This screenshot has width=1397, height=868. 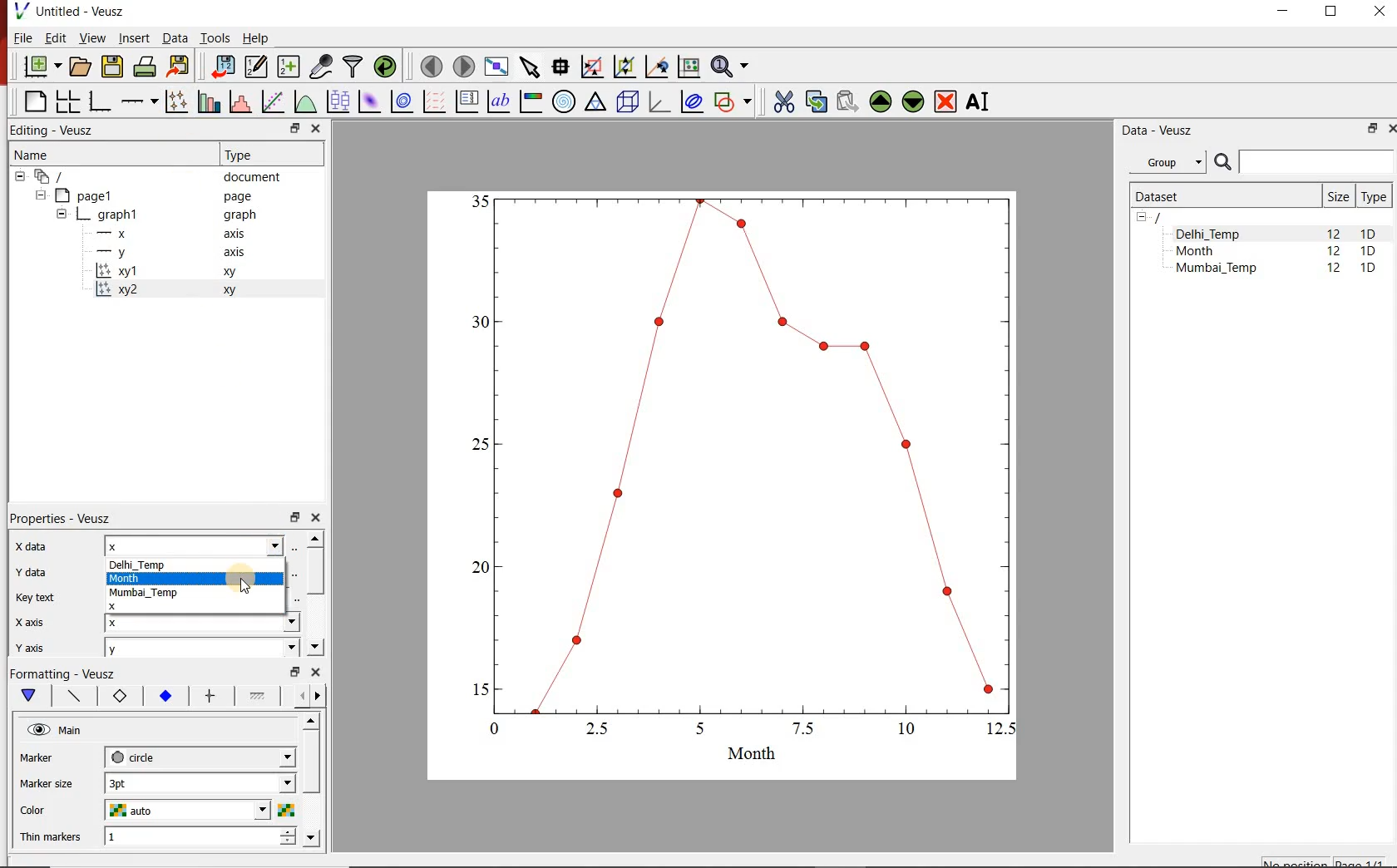 I want to click on restore, so click(x=296, y=128).